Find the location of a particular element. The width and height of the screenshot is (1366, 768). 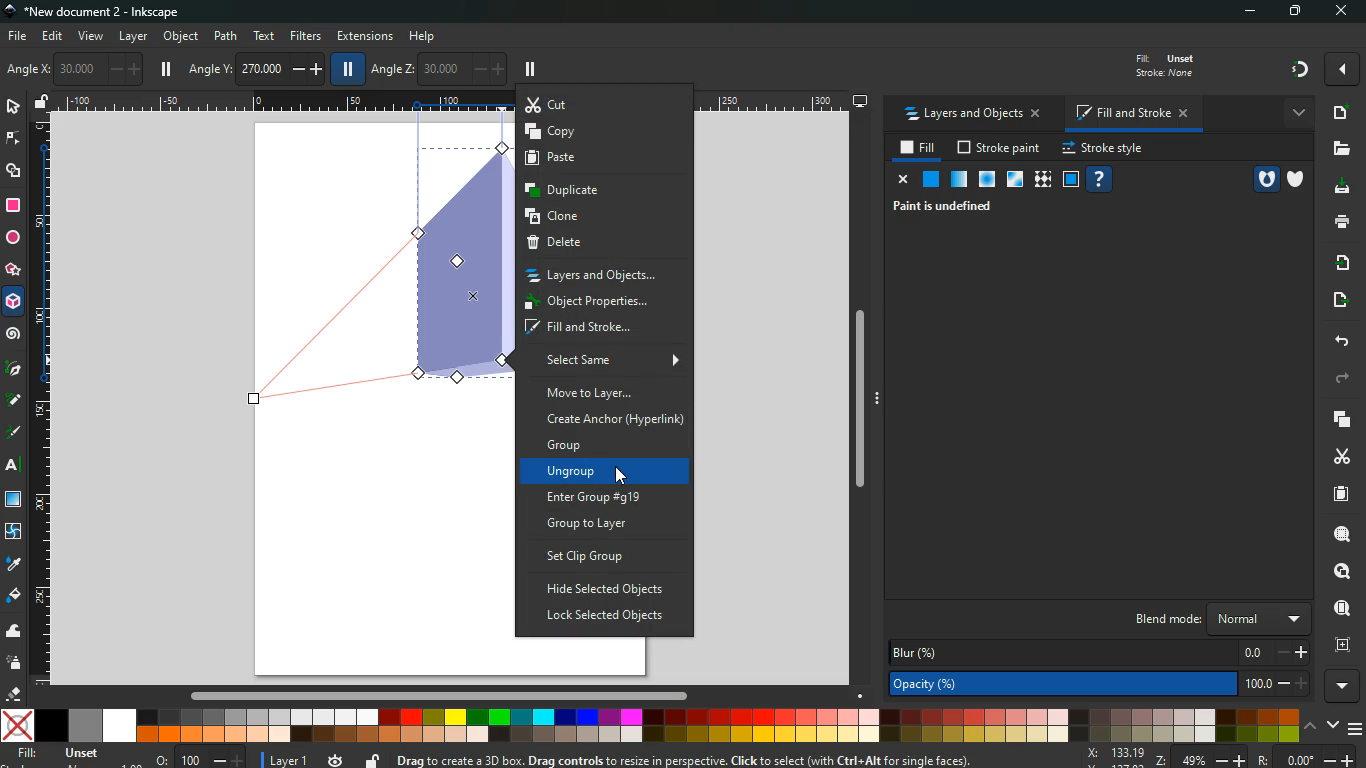

file is located at coordinates (16, 37).